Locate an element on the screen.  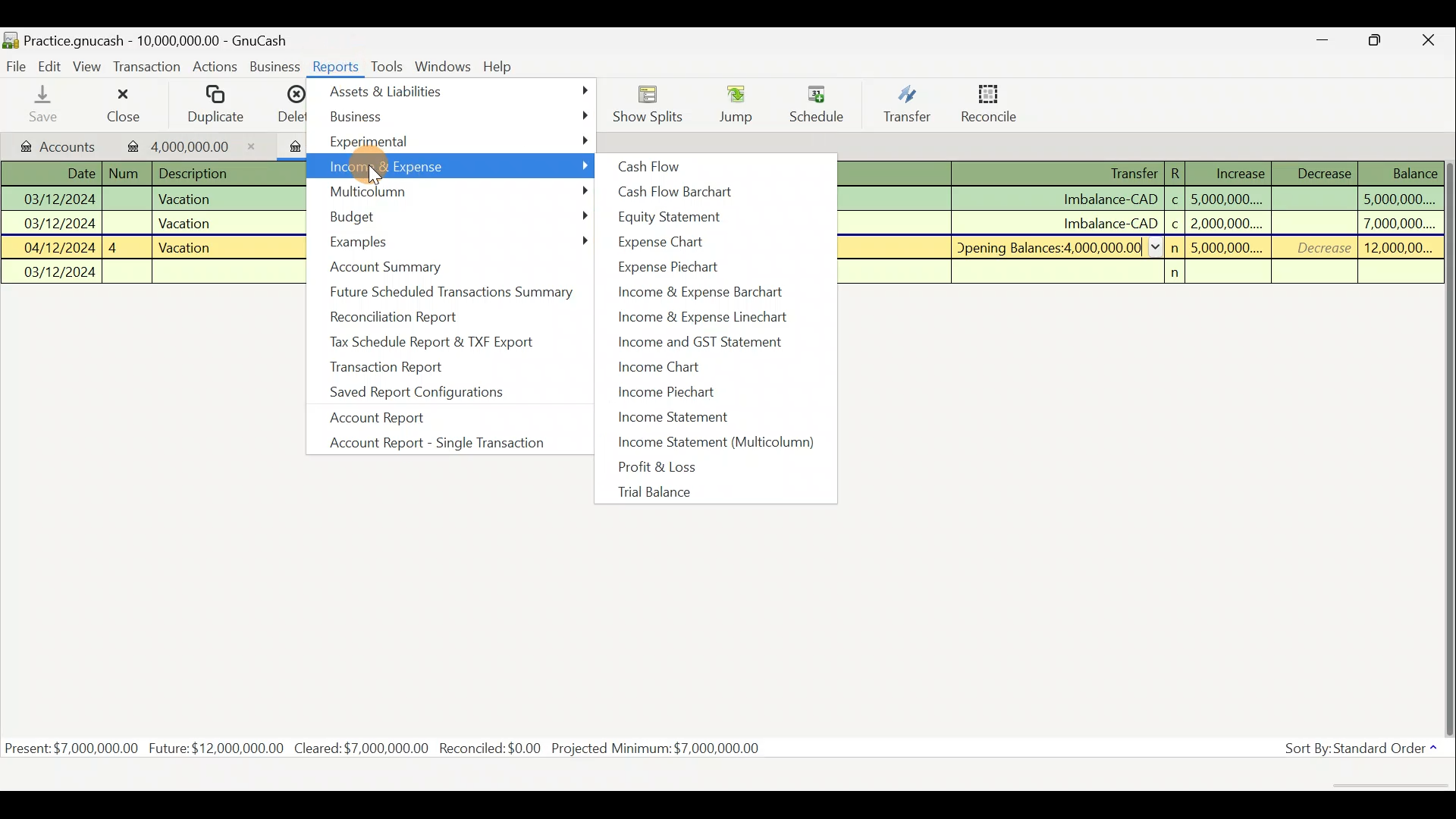
Trial balance is located at coordinates (695, 491).